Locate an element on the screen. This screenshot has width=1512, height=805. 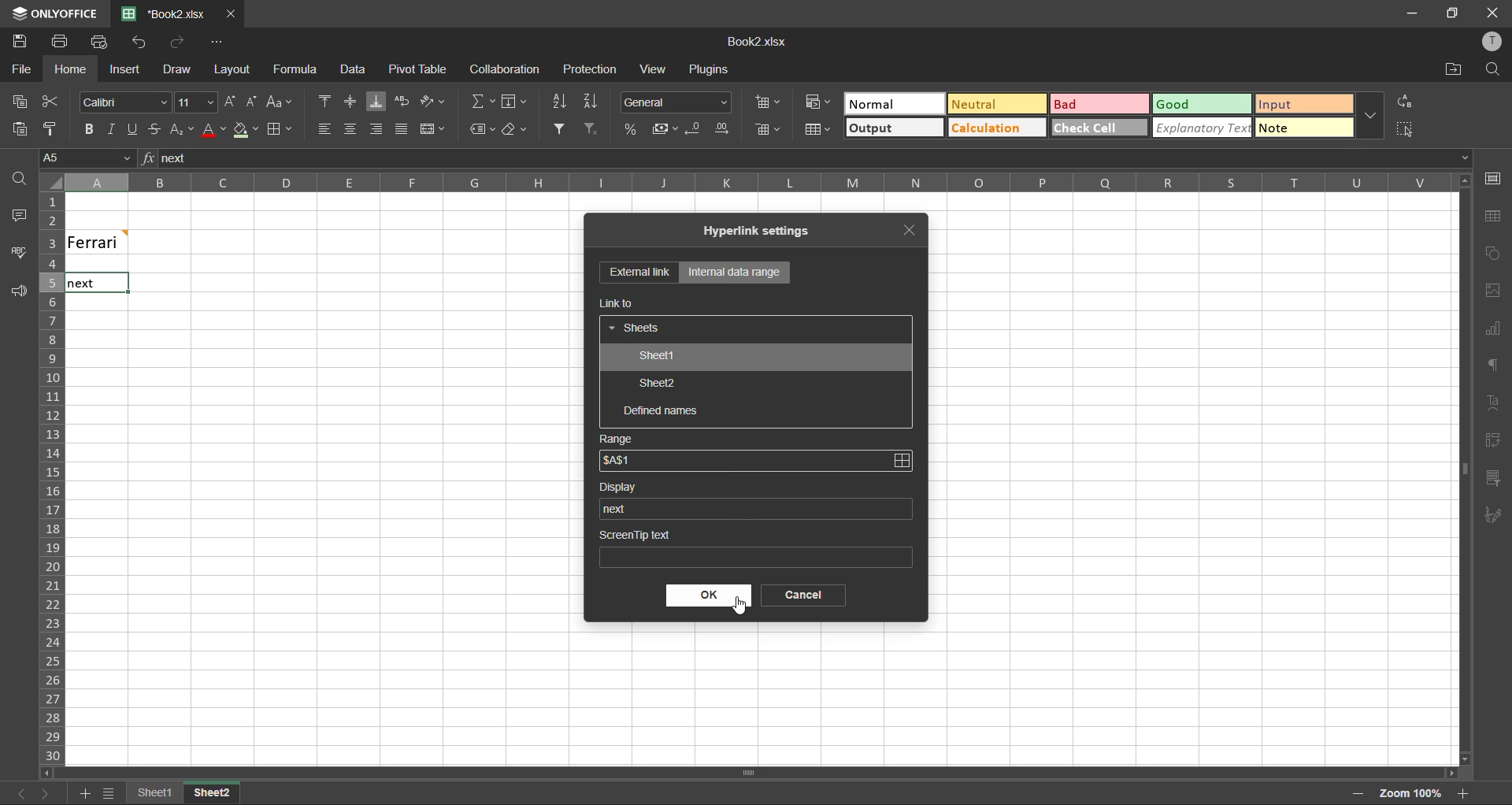
range defined is located at coordinates (619, 463).